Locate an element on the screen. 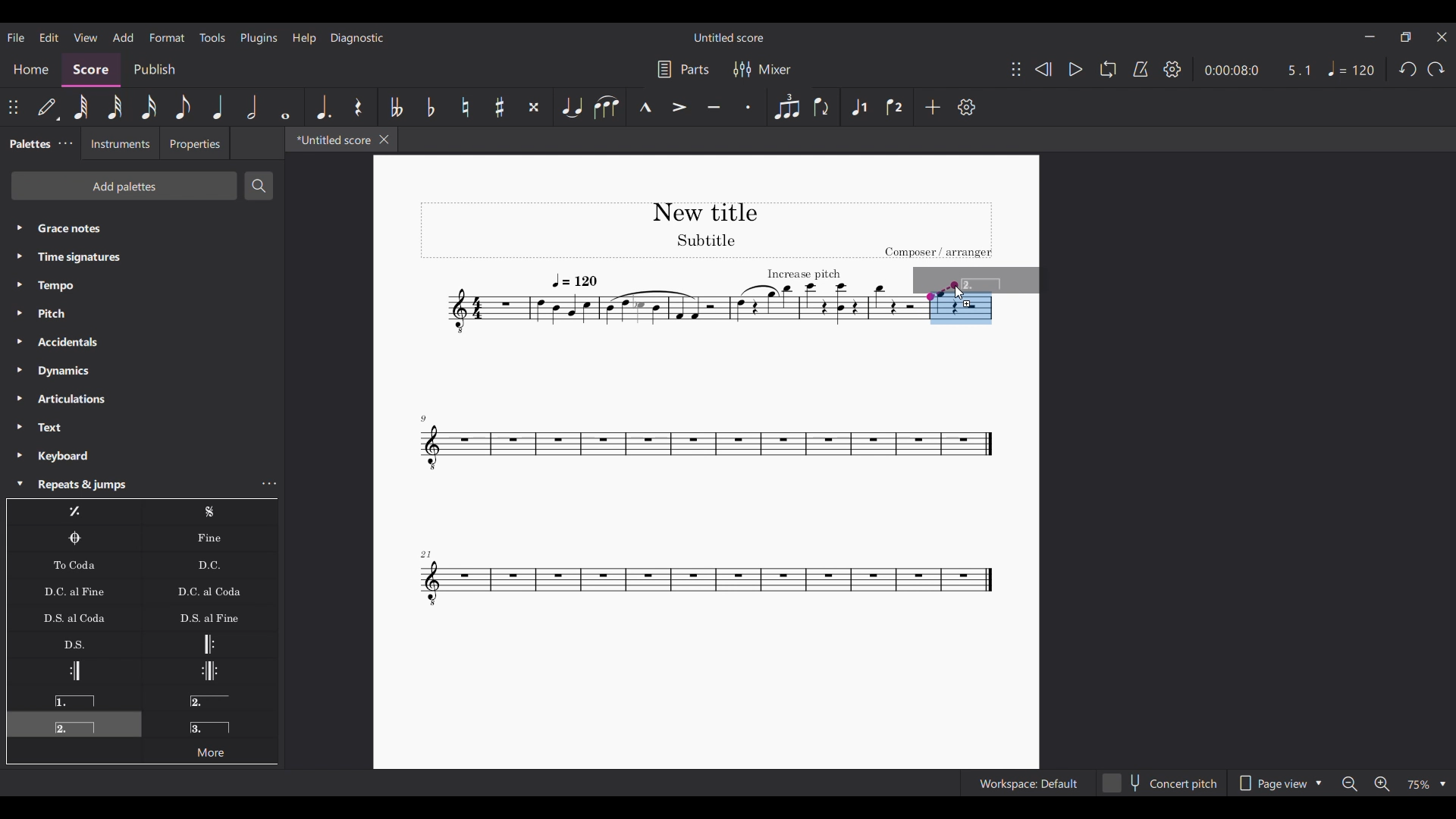 This screenshot has height=819, width=1456. Metronome is located at coordinates (1141, 69).